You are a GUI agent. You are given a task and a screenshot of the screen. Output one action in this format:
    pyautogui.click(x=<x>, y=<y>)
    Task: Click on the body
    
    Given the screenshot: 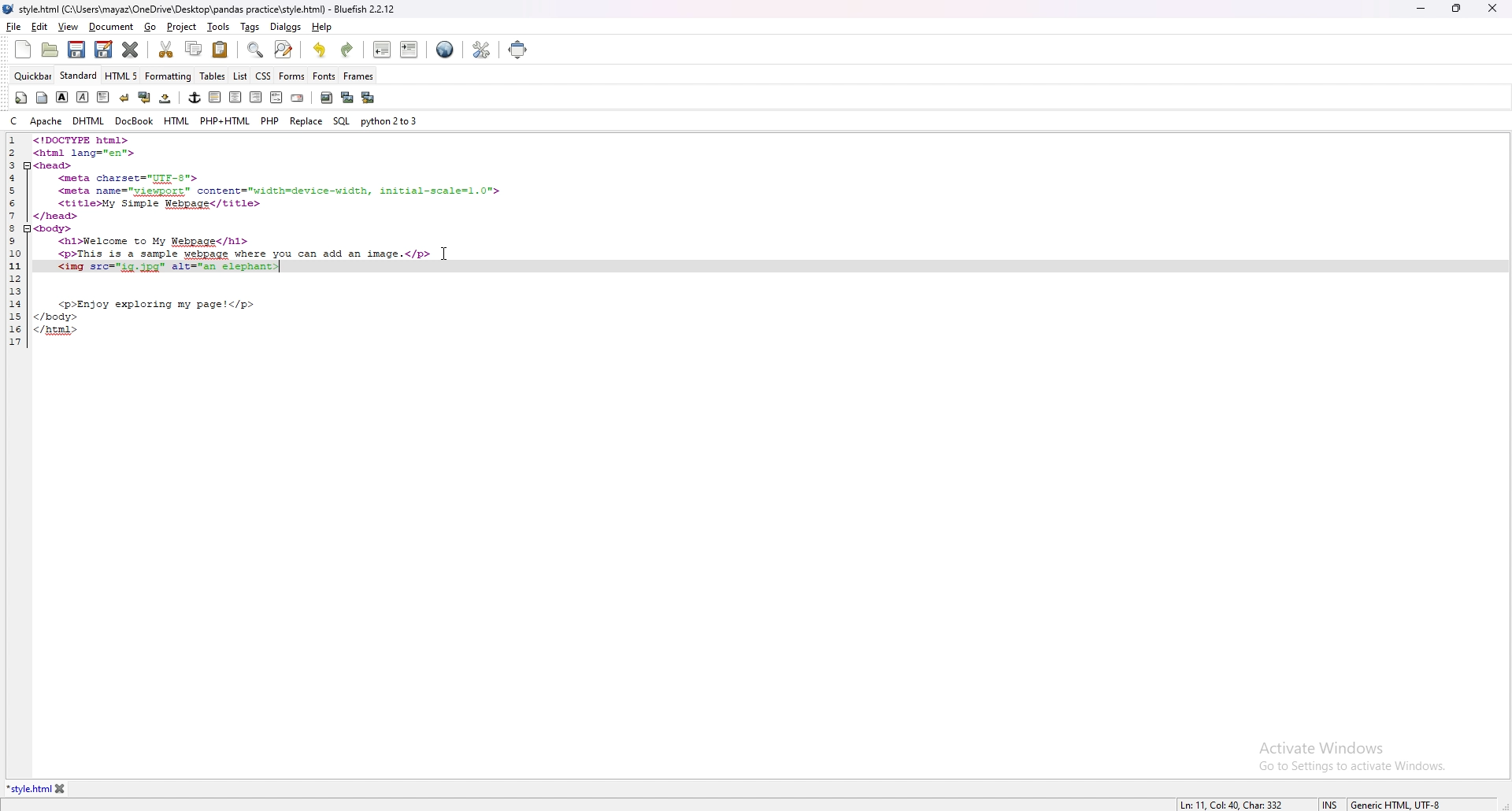 What is the action you would take?
    pyautogui.click(x=42, y=98)
    